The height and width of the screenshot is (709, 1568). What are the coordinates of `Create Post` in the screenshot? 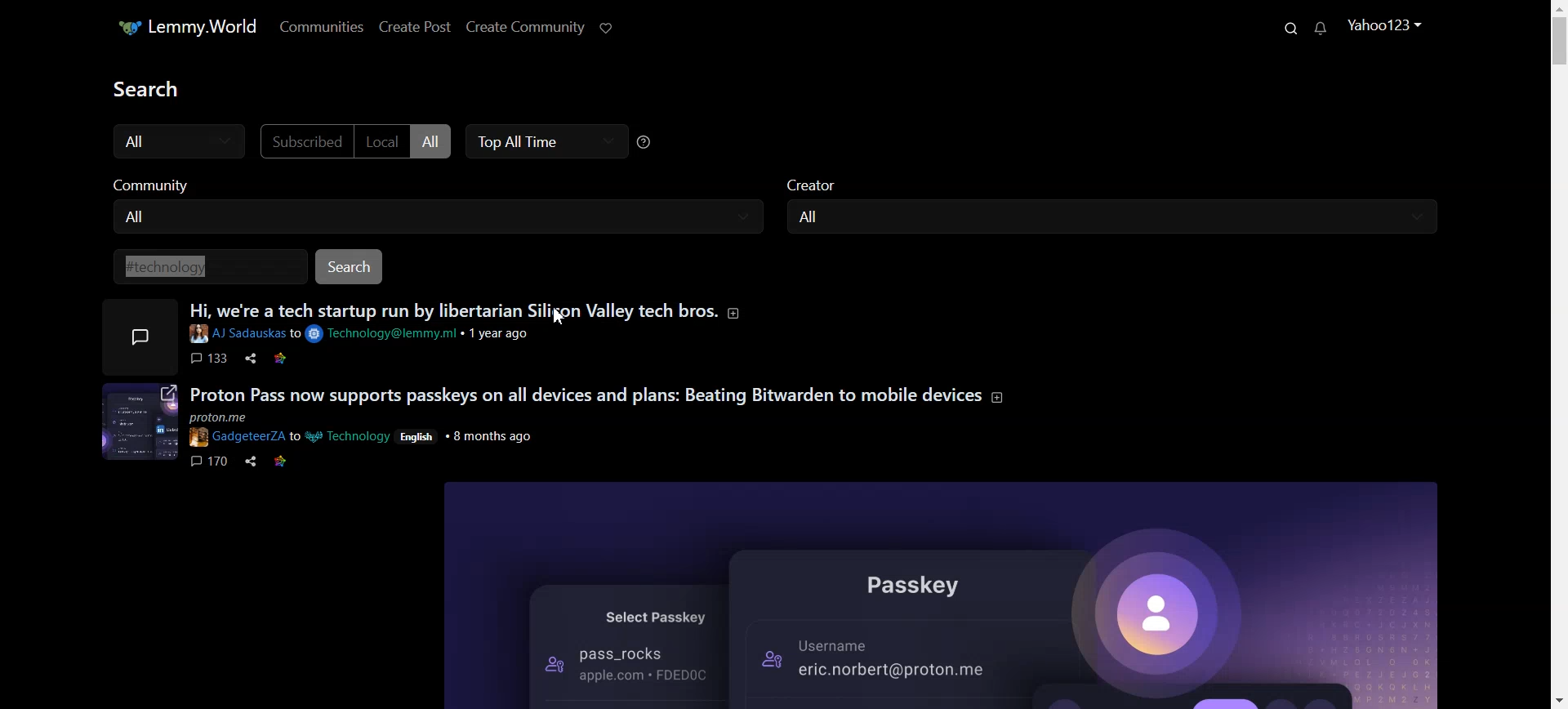 It's located at (413, 26).